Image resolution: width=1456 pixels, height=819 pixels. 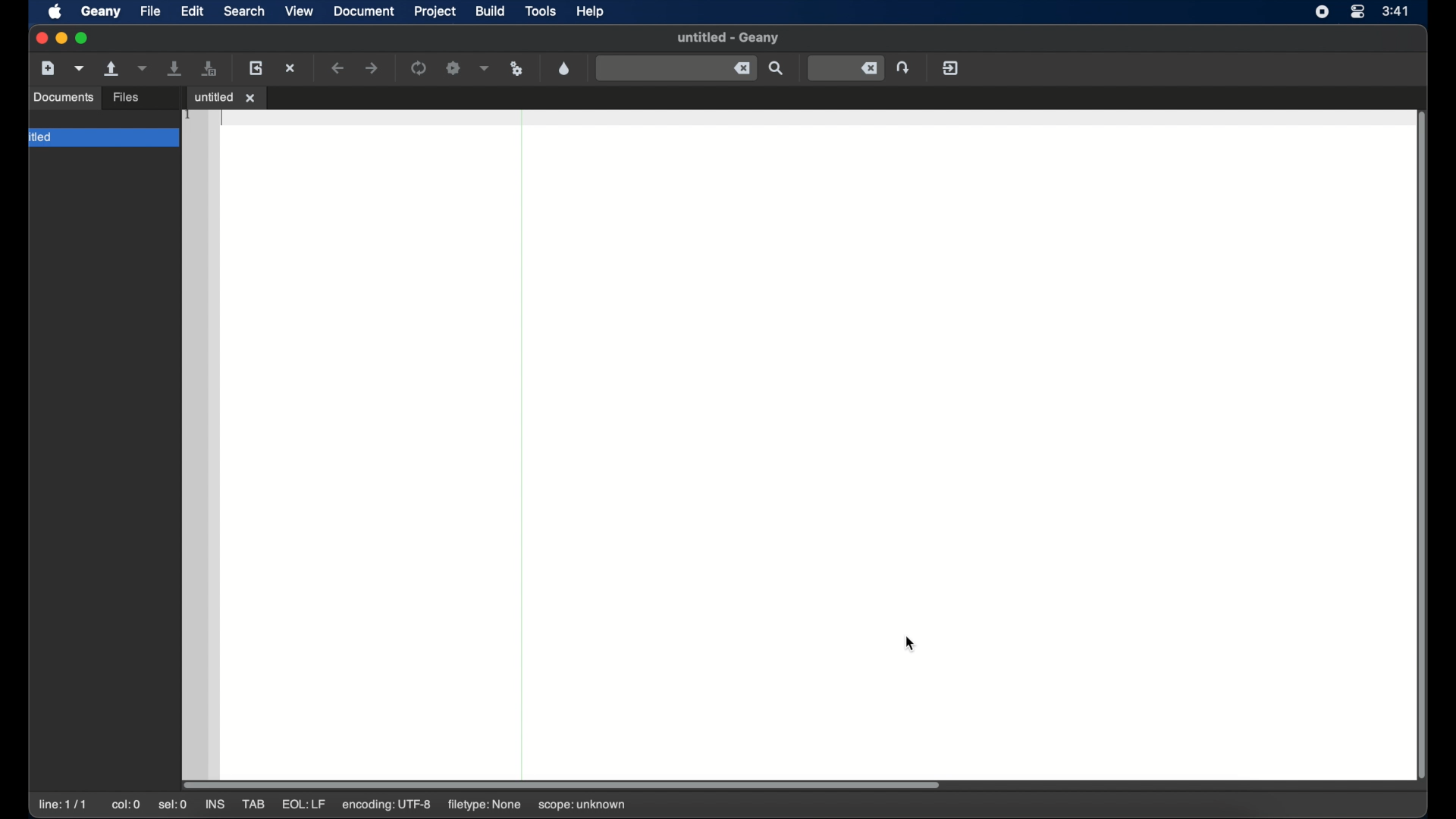 I want to click on scroll box, so click(x=564, y=783).